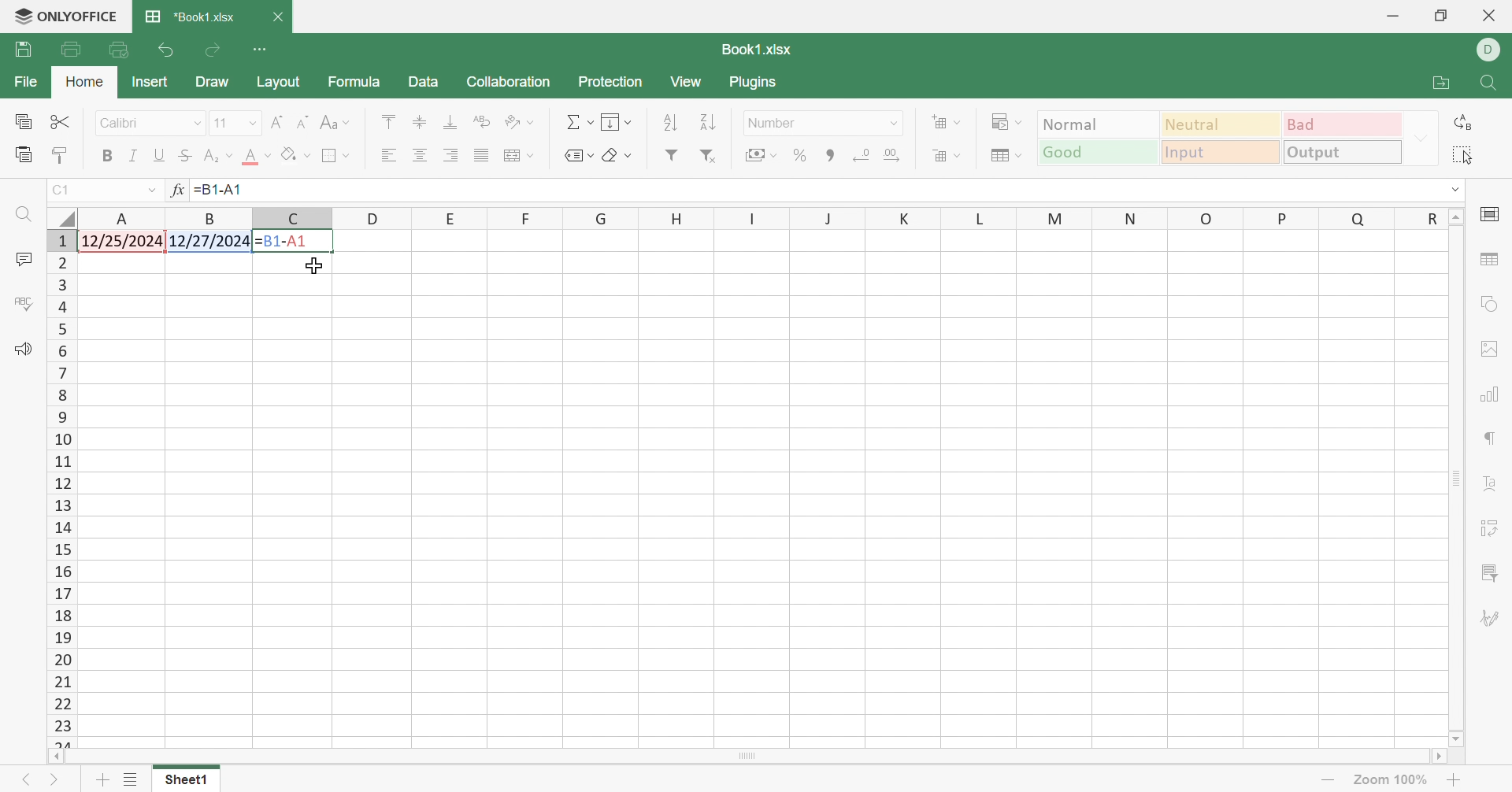 The height and width of the screenshot is (792, 1512). Describe the element at coordinates (1343, 124) in the screenshot. I see `Bad` at that location.